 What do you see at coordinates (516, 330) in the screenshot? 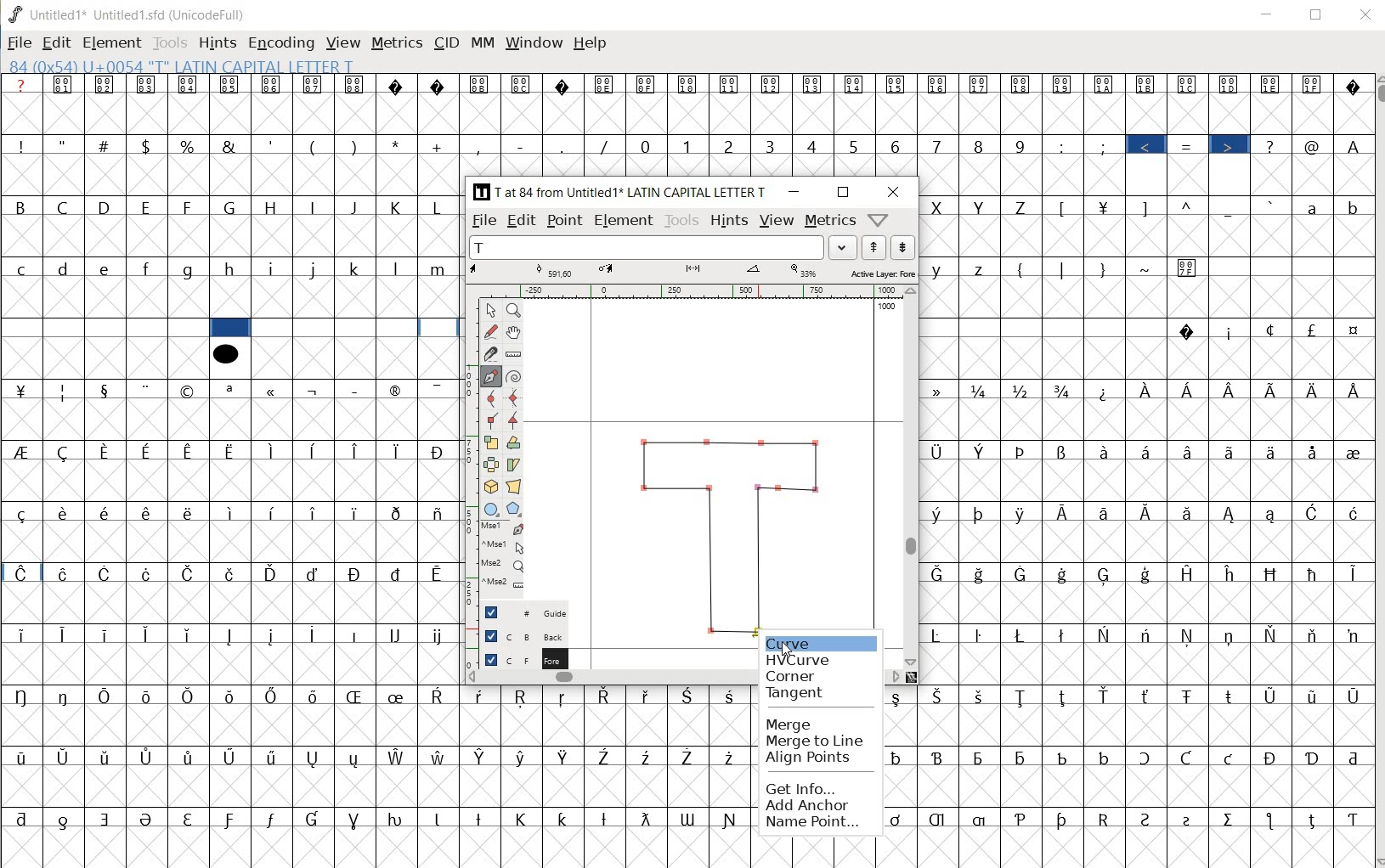
I see `pan` at bounding box center [516, 330].